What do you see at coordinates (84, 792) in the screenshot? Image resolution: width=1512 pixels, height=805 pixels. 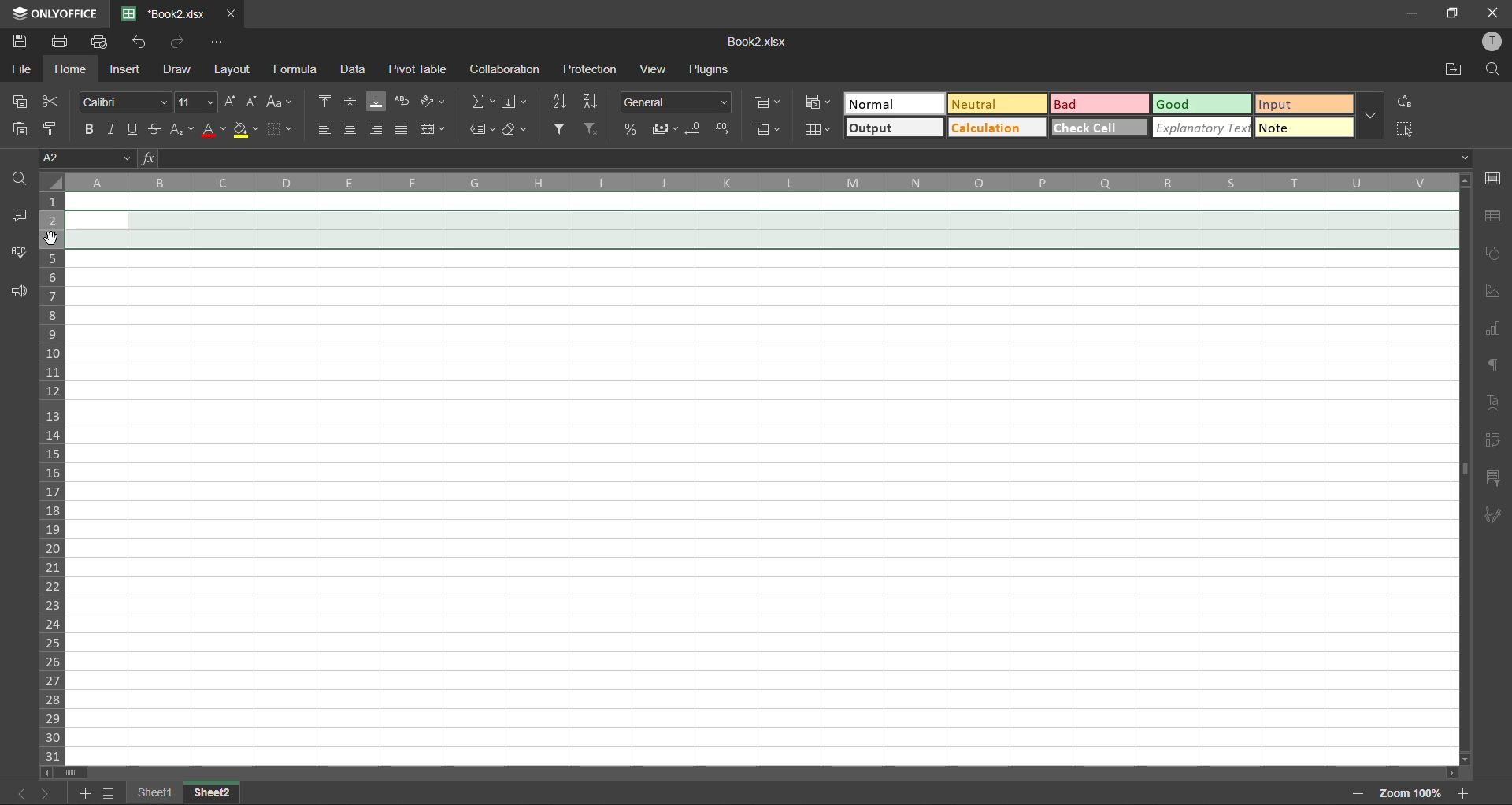 I see `add sheet` at bounding box center [84, 792].